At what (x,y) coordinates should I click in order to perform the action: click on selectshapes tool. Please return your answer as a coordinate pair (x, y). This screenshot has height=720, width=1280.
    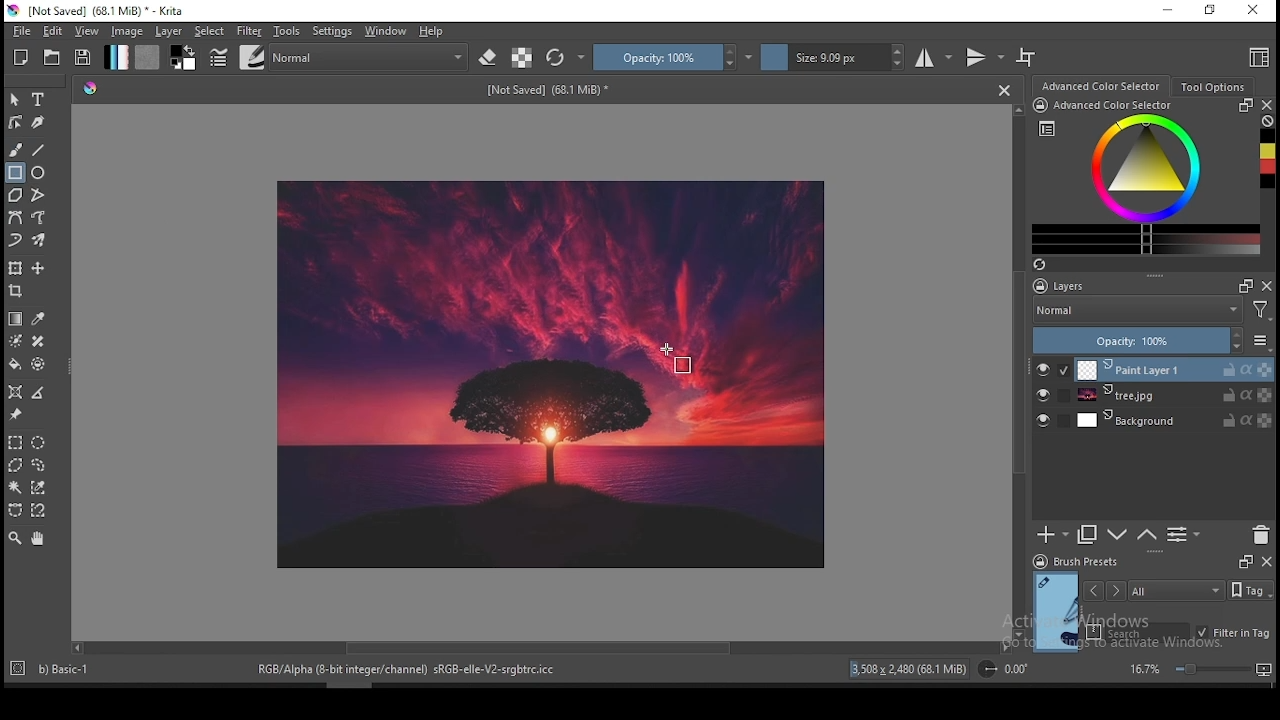
    Looking at the image, I should click on (15, 100).